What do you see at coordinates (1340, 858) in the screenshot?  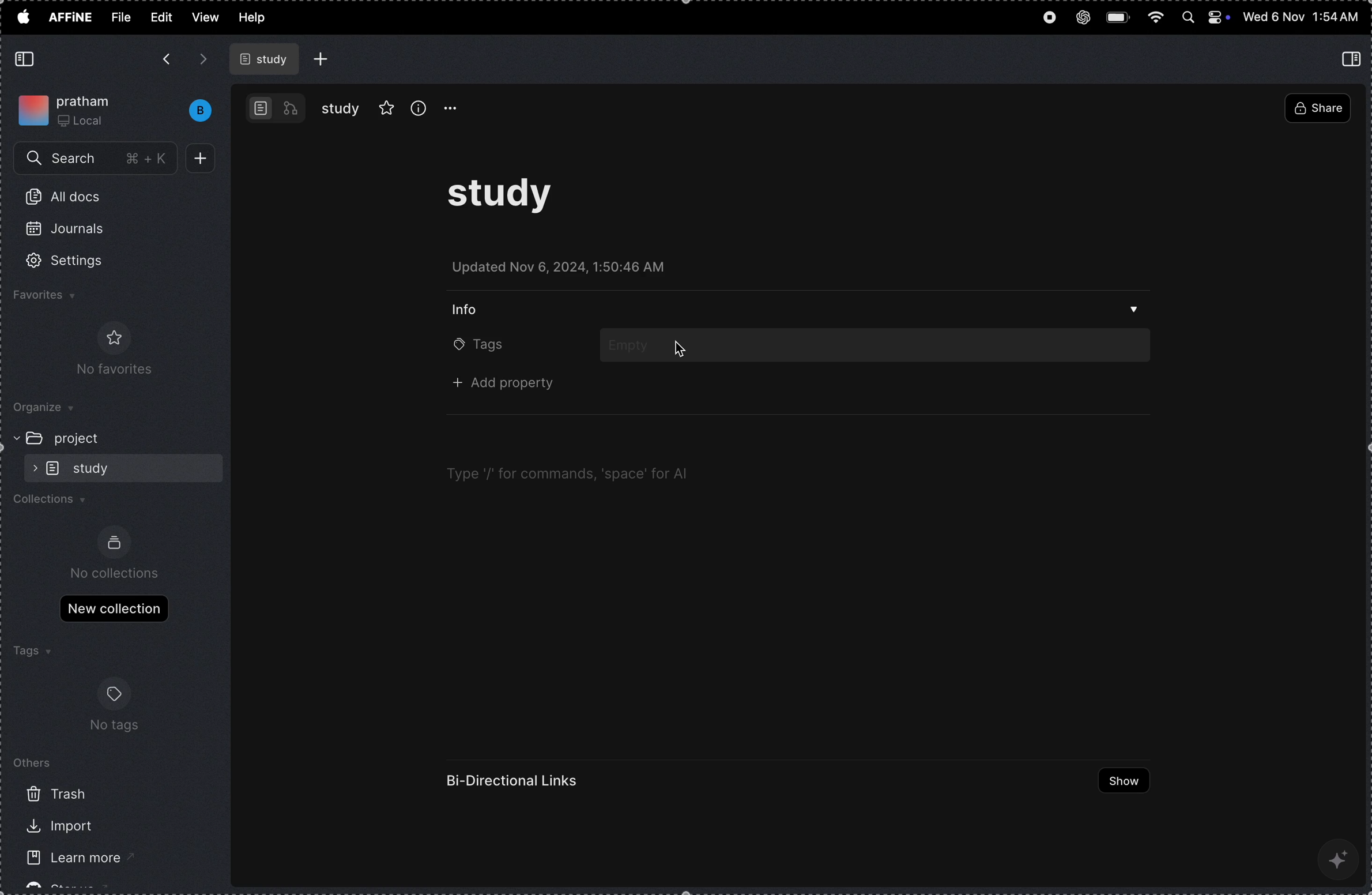 I see `ai` at bounding box center [1340, 858].